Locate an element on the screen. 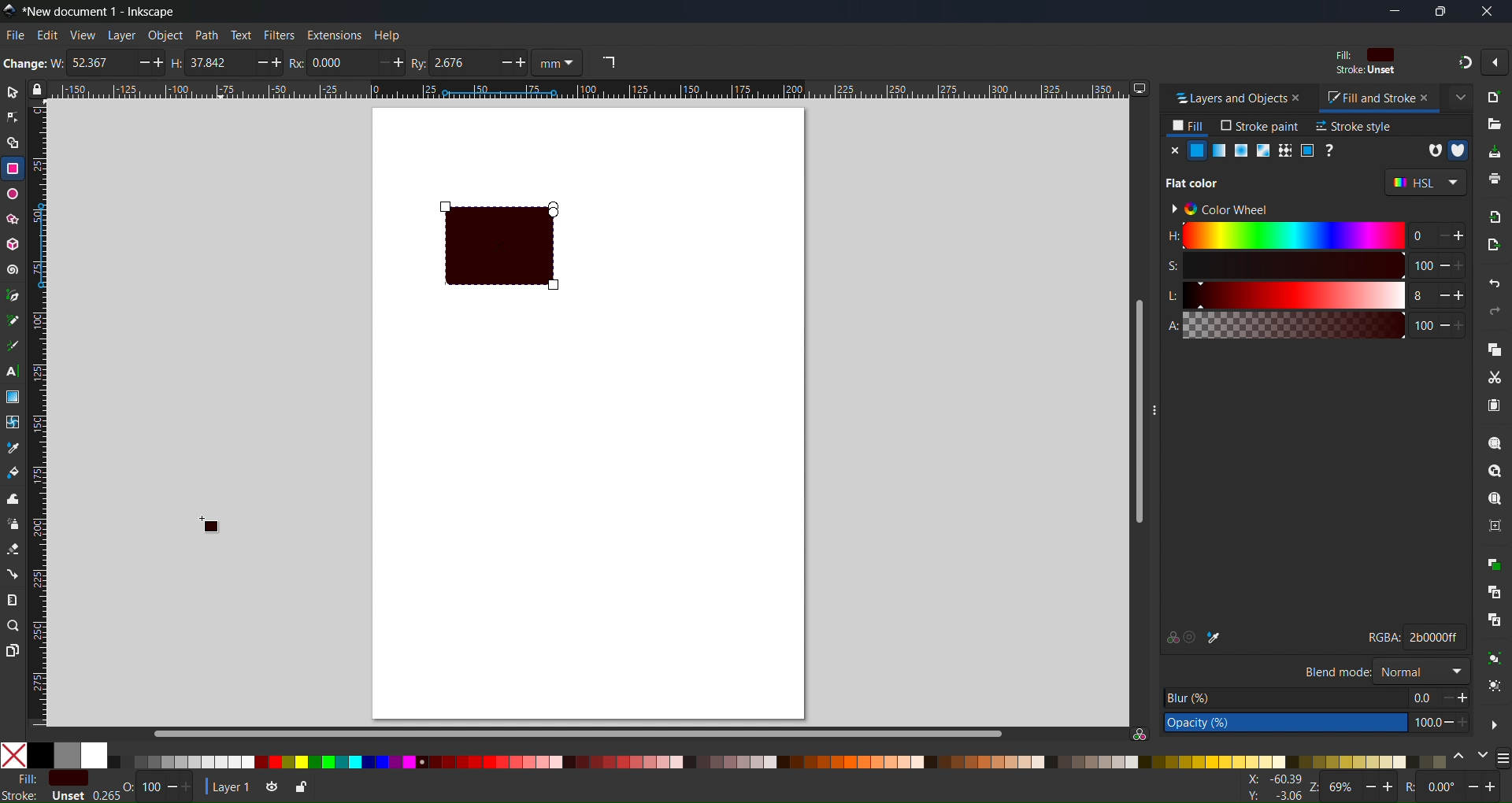 The image size is (1512, 803). Swatch is located at coordinates (1306, 150).